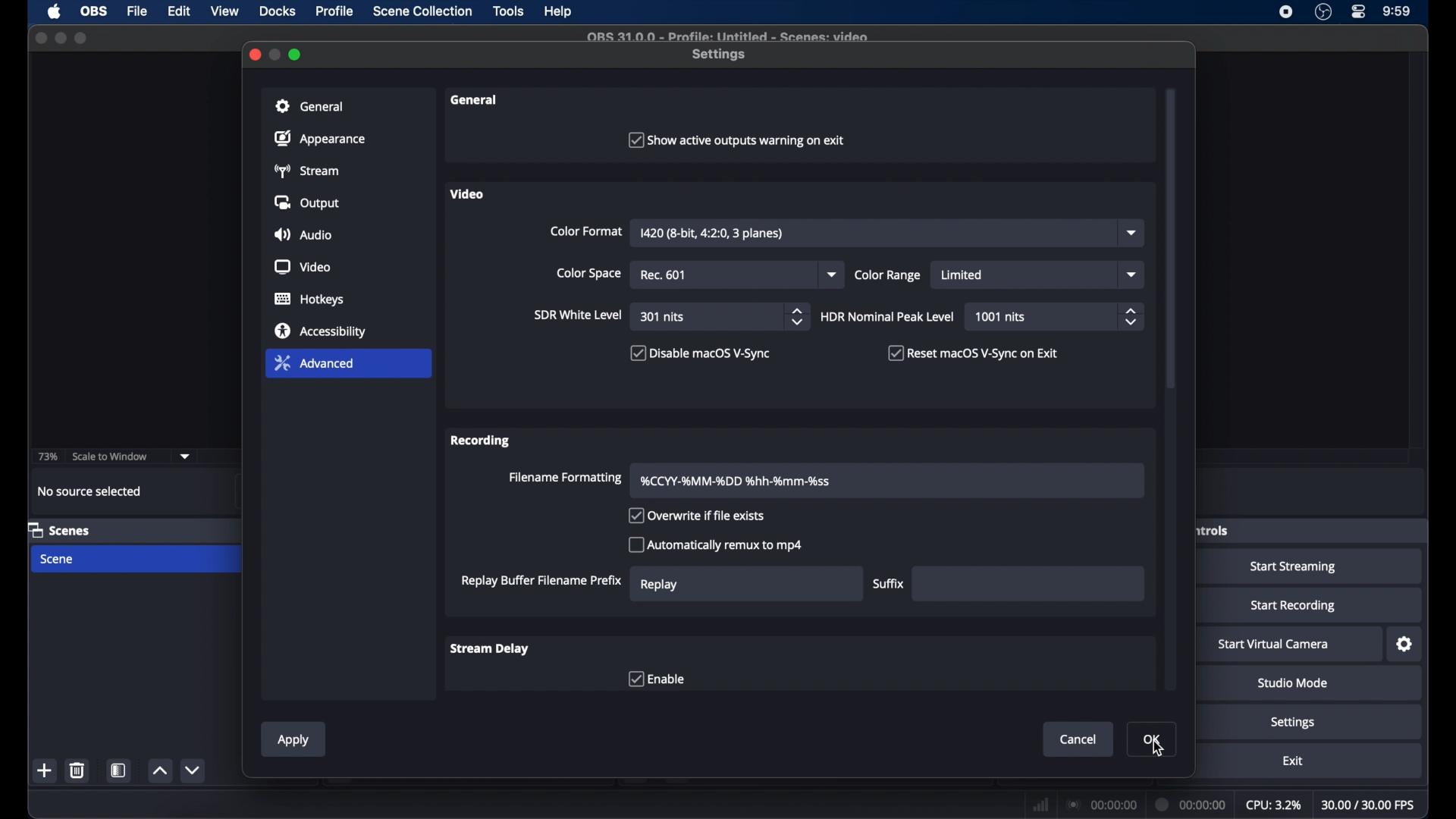  I want to click on 73%, so click(46, 457).